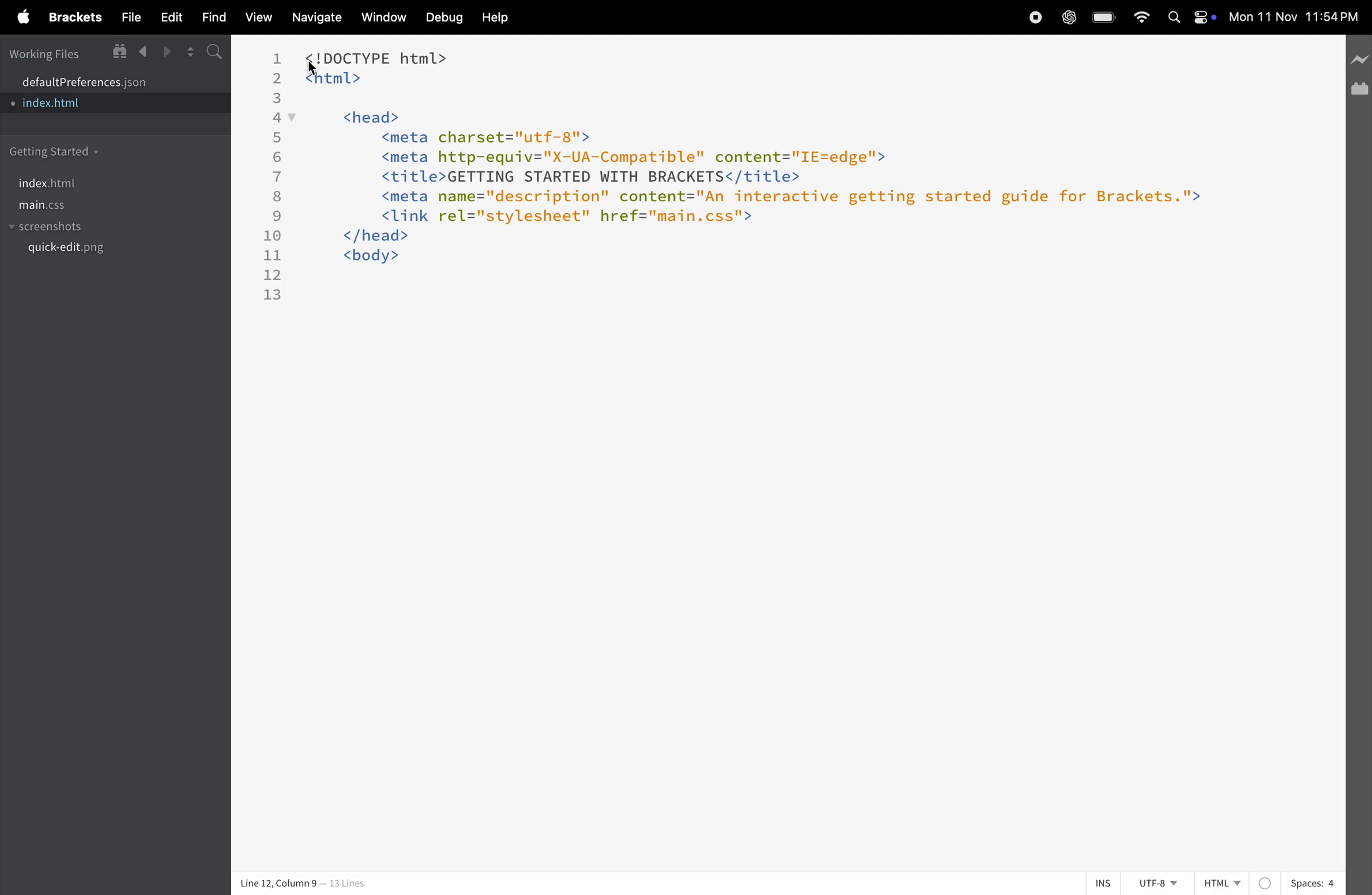 The image size is (1372, 895). I want to click on split screen, so click(190, 51).